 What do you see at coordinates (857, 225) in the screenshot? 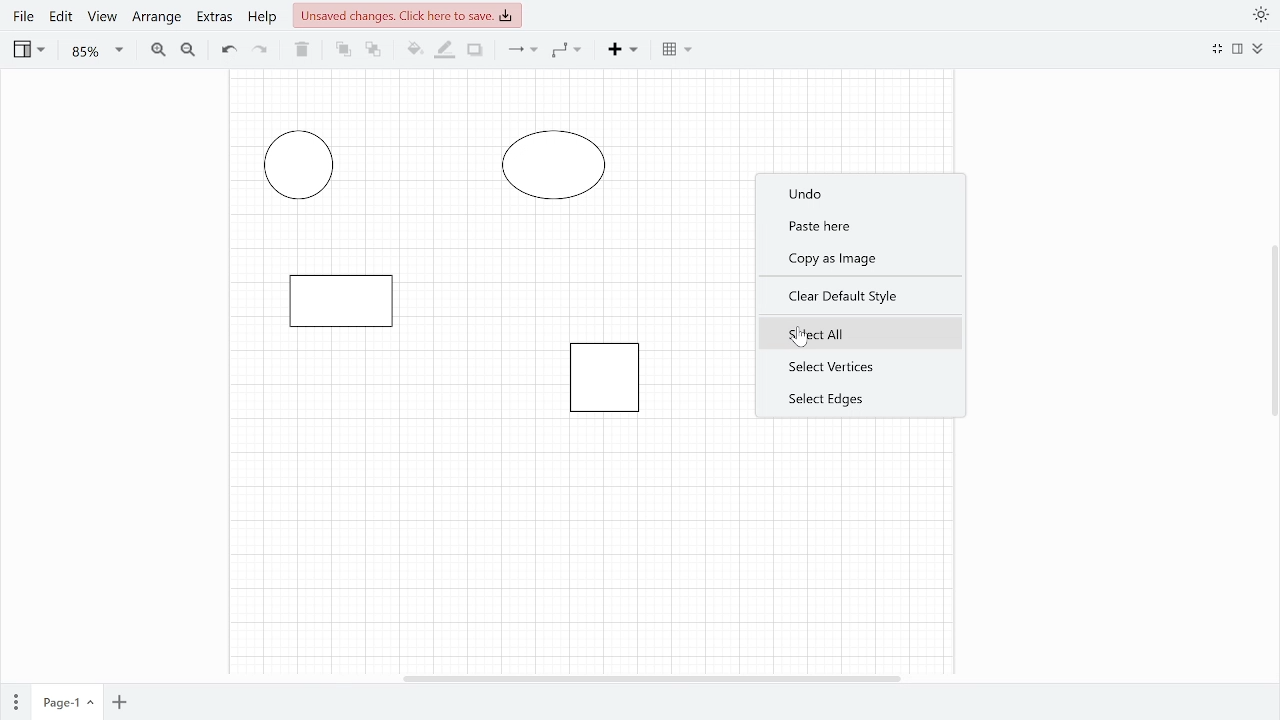
I see `Paste here` at bounding box center [857, 225].